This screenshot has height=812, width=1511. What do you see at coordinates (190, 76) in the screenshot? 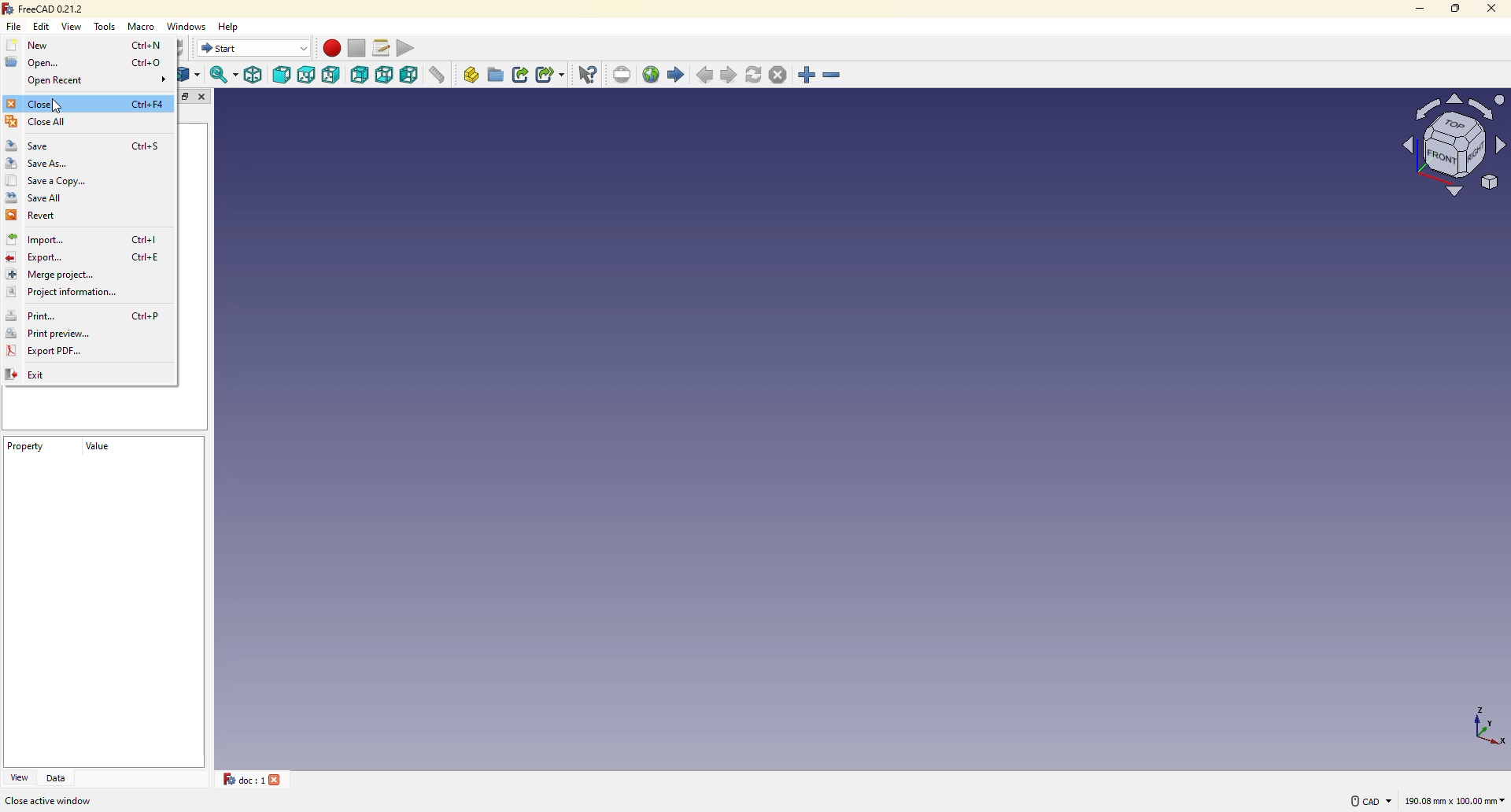
I see `go to linked objects` at bounding box center [190, 76].